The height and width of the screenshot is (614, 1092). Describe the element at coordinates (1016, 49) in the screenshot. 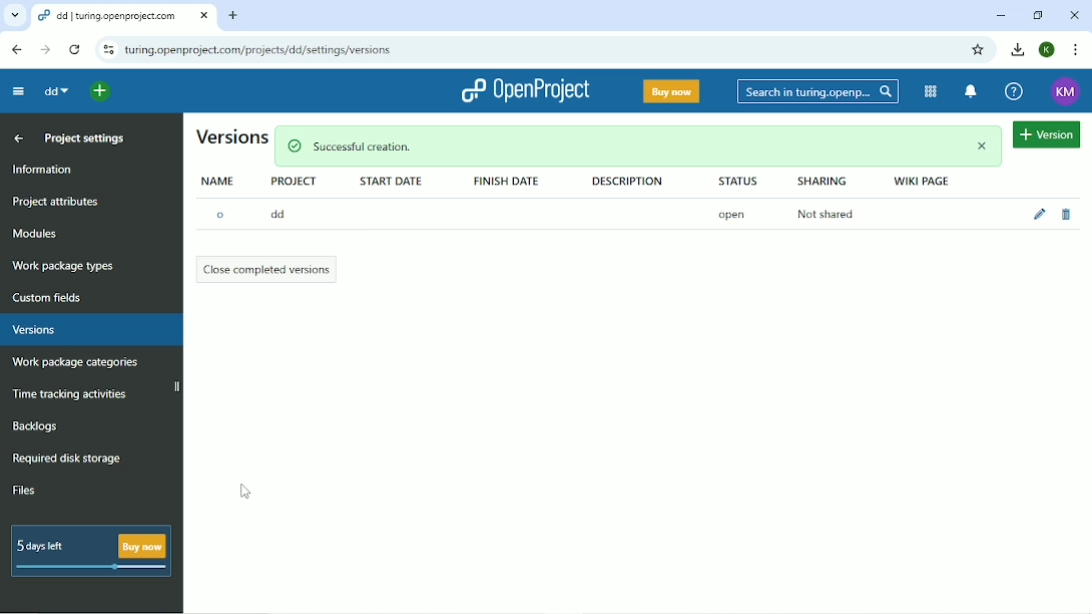

I see `Download` at that location.